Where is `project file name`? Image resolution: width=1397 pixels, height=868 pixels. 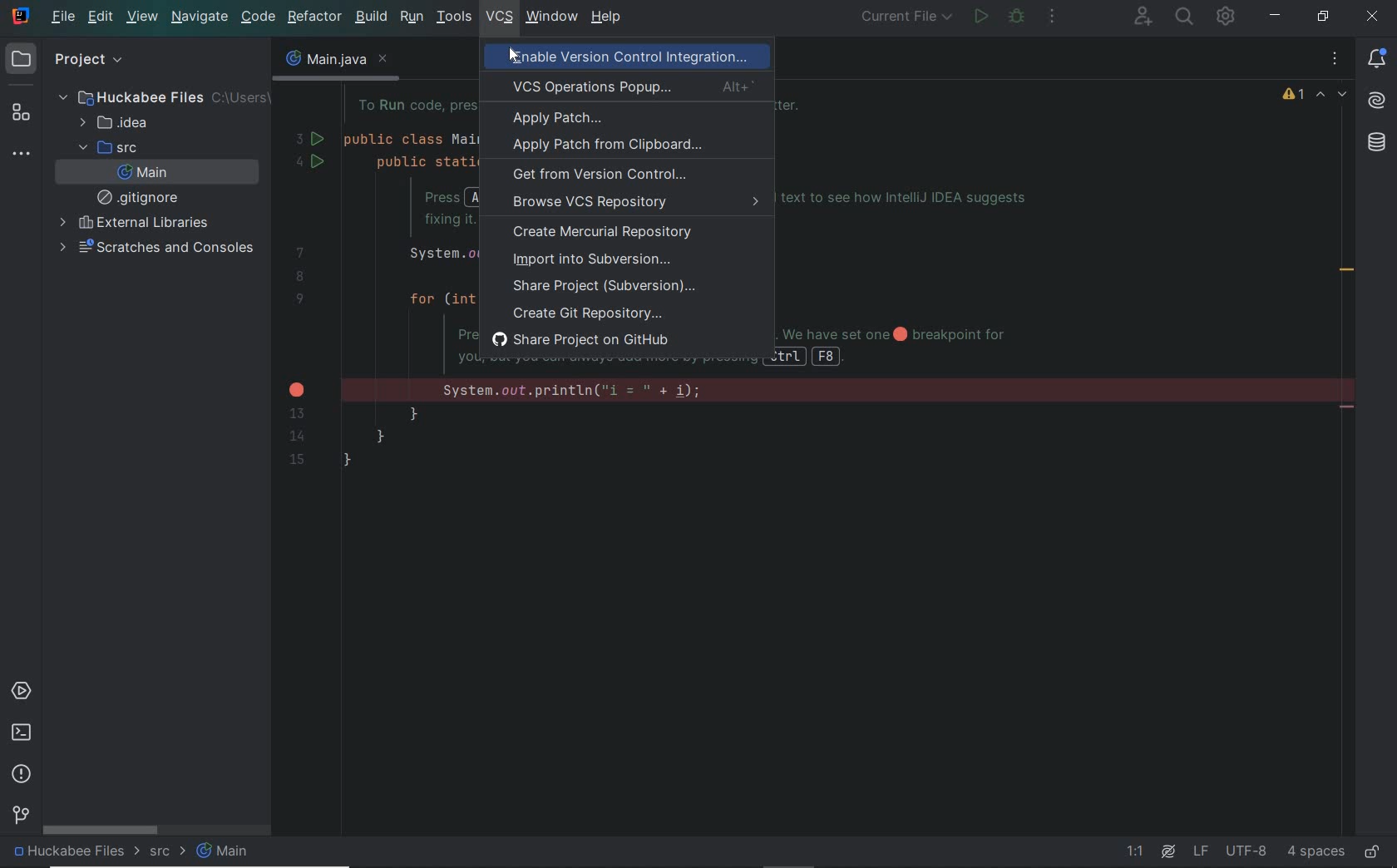
project file name is located at coordinates (70, 855).